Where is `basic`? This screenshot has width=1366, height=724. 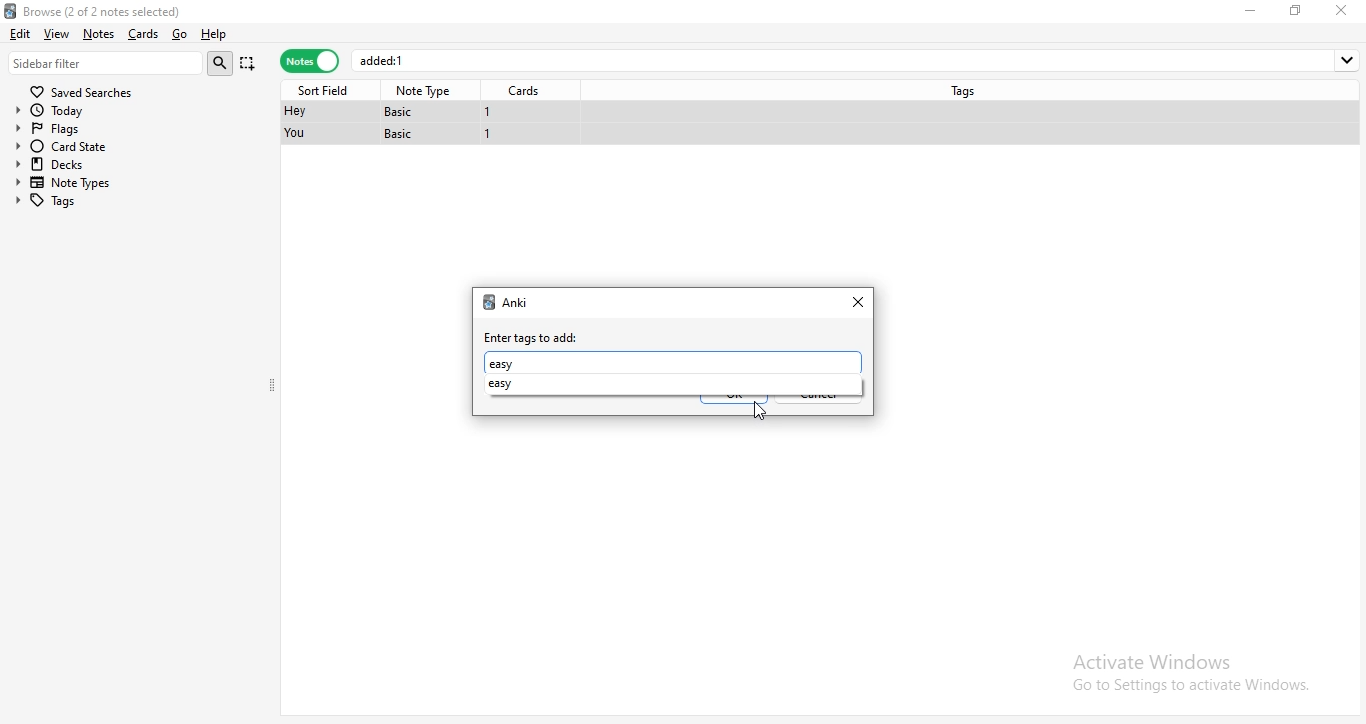
basic is located at coordinates (401, 134).